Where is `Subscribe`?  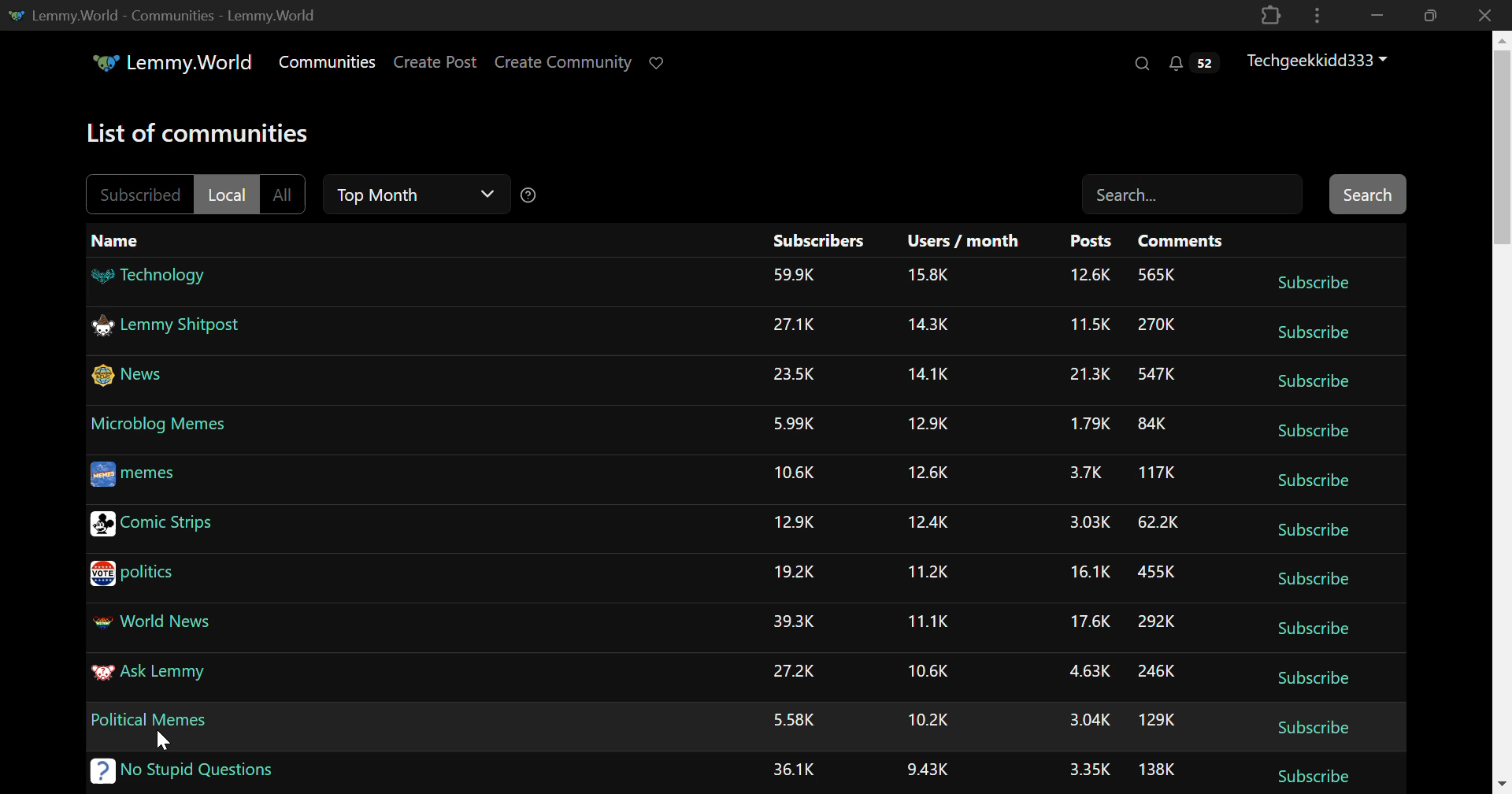 Subscribe is located at coordinates (1315, 728).